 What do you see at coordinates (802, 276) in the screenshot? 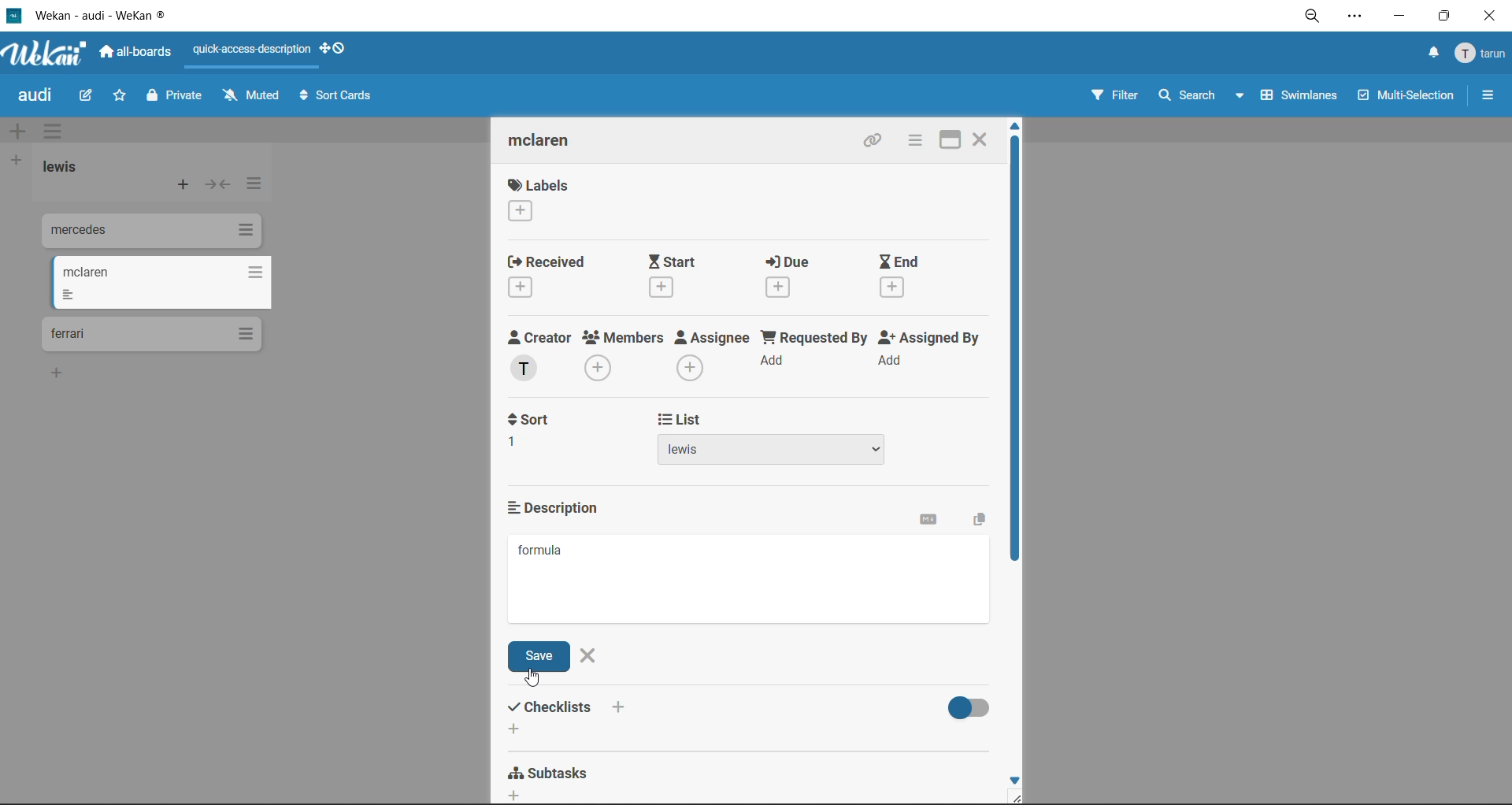
I see `due` at bounding box center [802, 276].